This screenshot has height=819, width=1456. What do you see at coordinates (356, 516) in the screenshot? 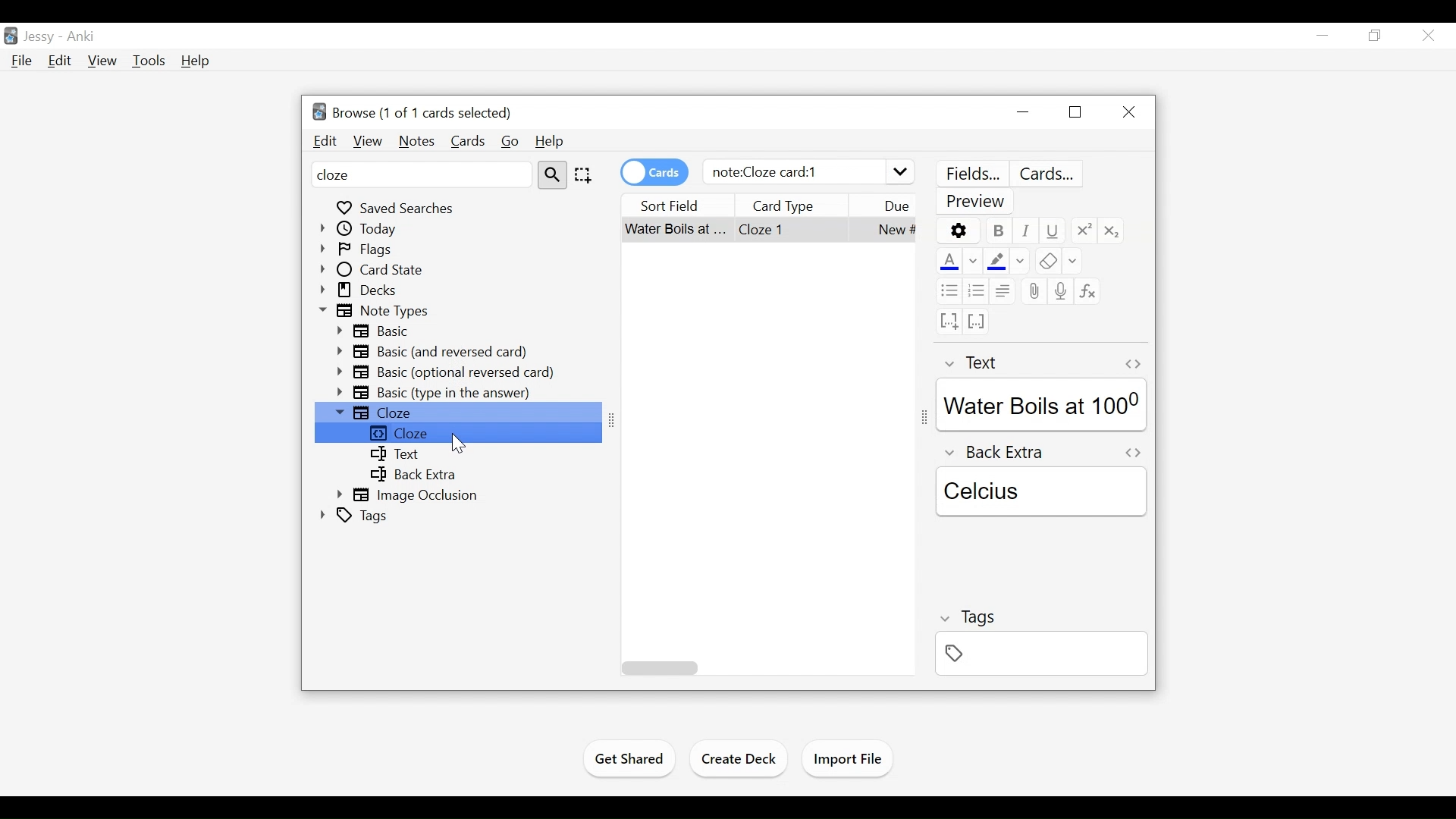
I see `Tags` at bounding box center [356, 516].